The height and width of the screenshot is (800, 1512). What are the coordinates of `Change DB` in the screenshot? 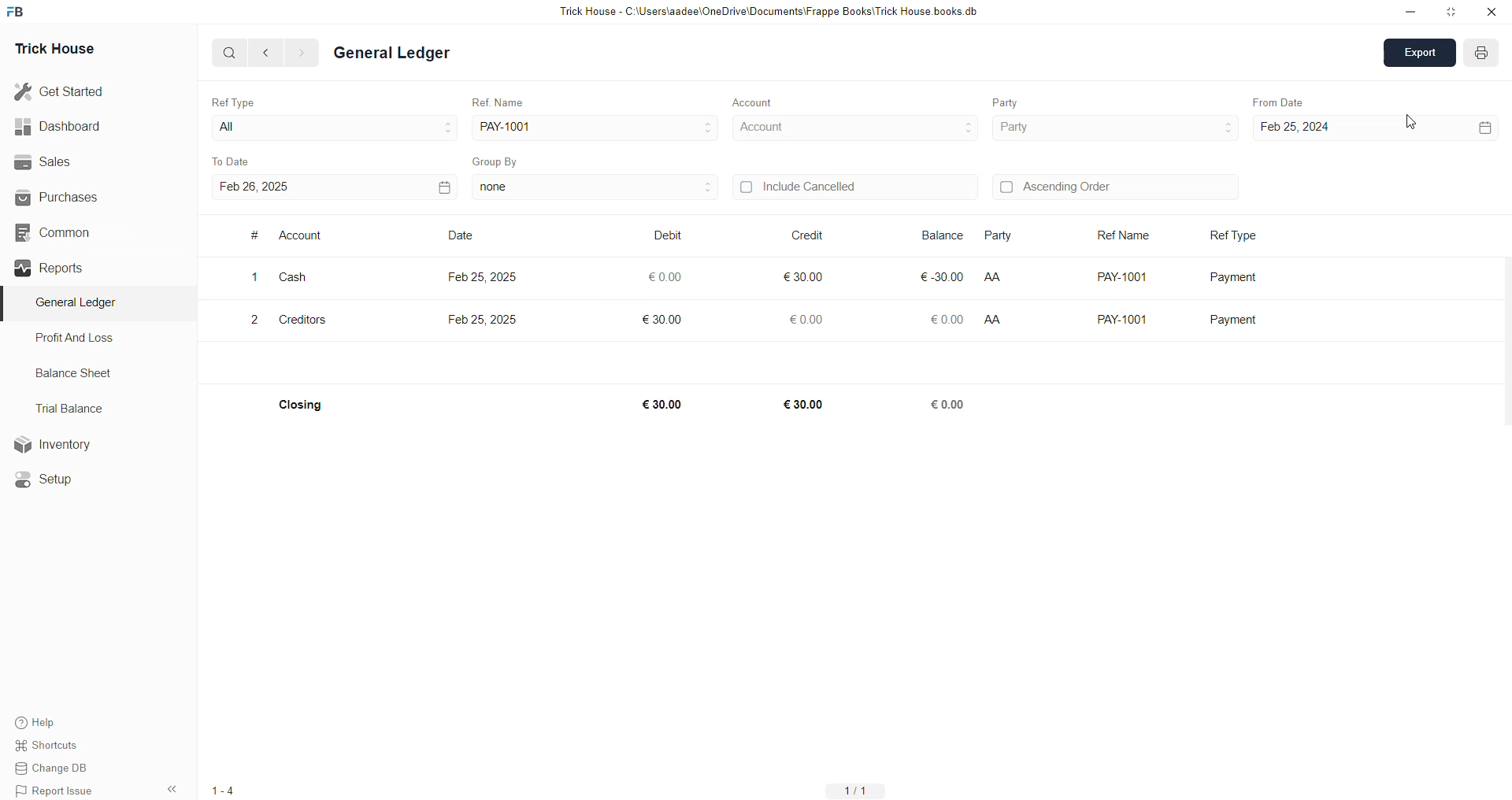 It's located at (60, 769).